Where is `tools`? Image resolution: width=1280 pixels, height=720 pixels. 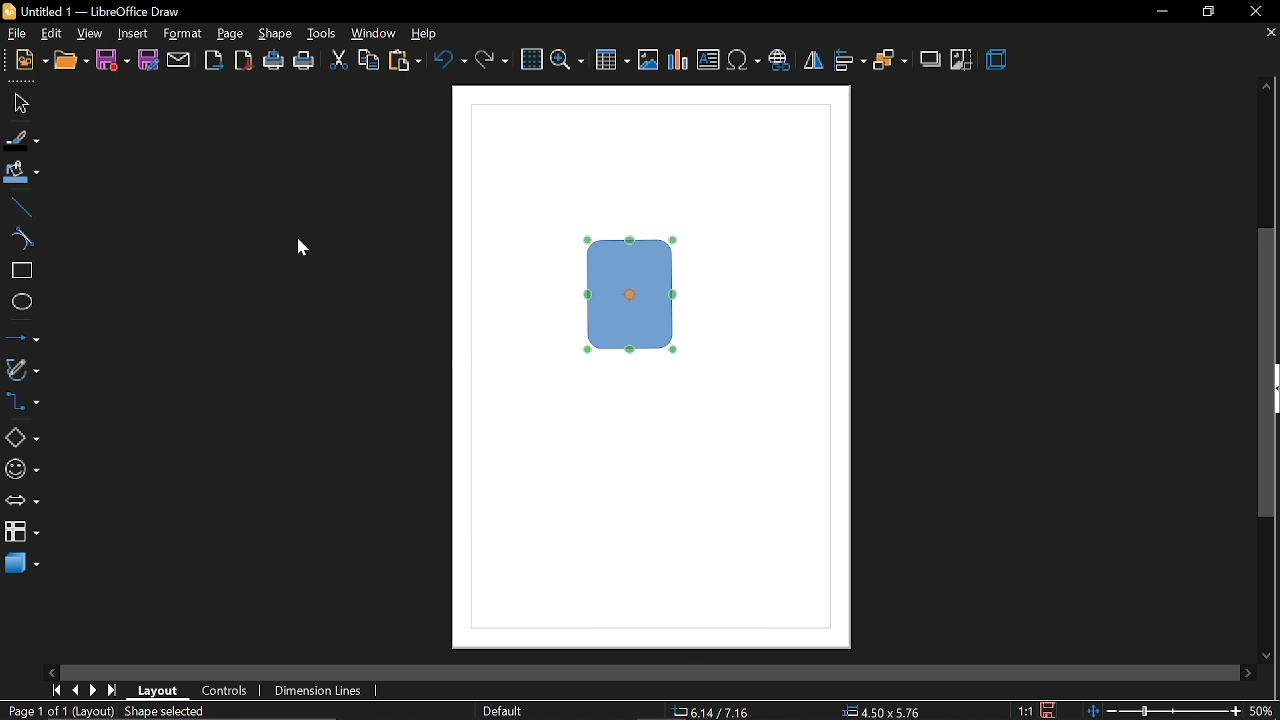
tools is located at coordinates (323, 34).